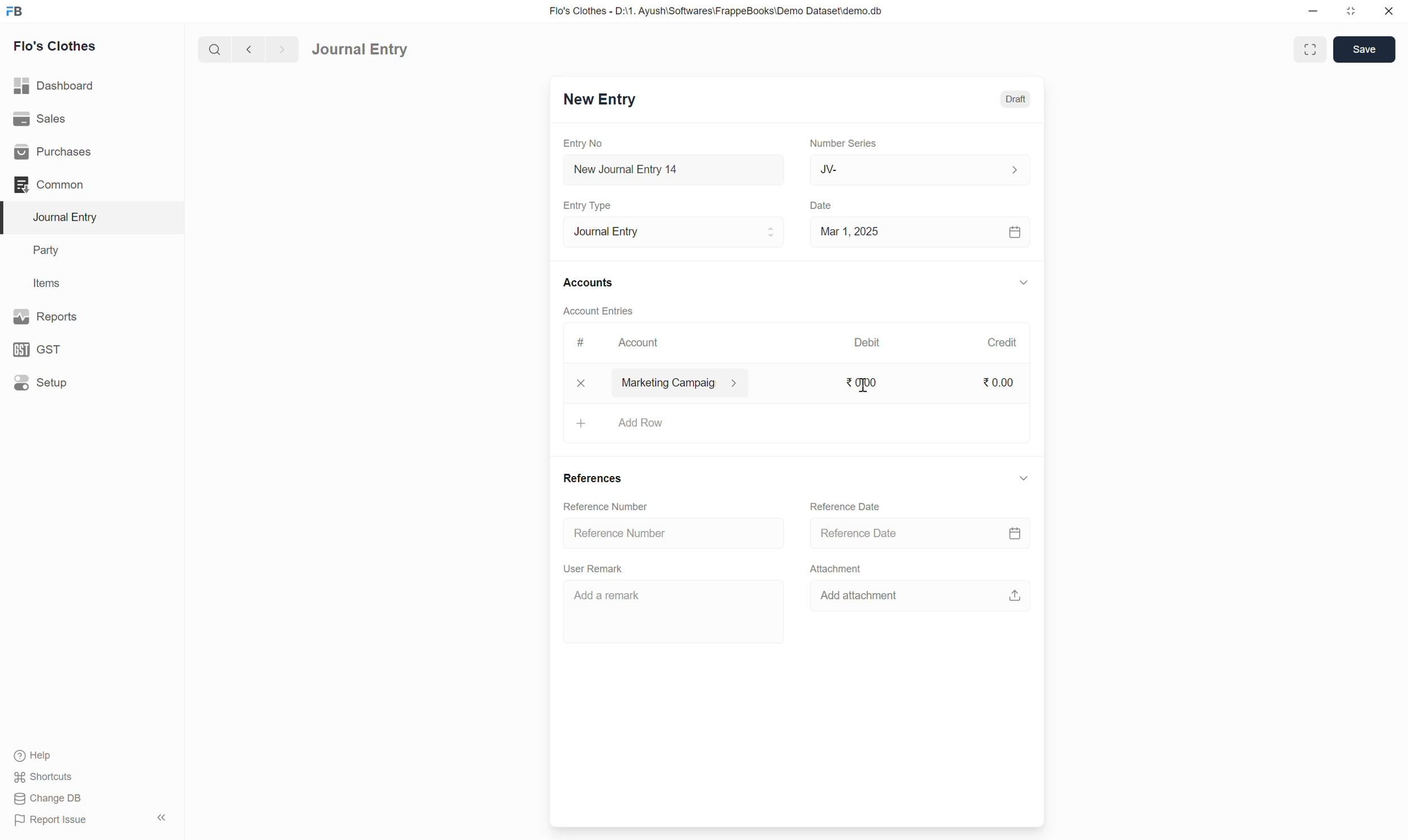 This screenshot has height=840, width=1408. Describe the element at coordinates (582, 422) in the screenshot. I see `+` at that location.